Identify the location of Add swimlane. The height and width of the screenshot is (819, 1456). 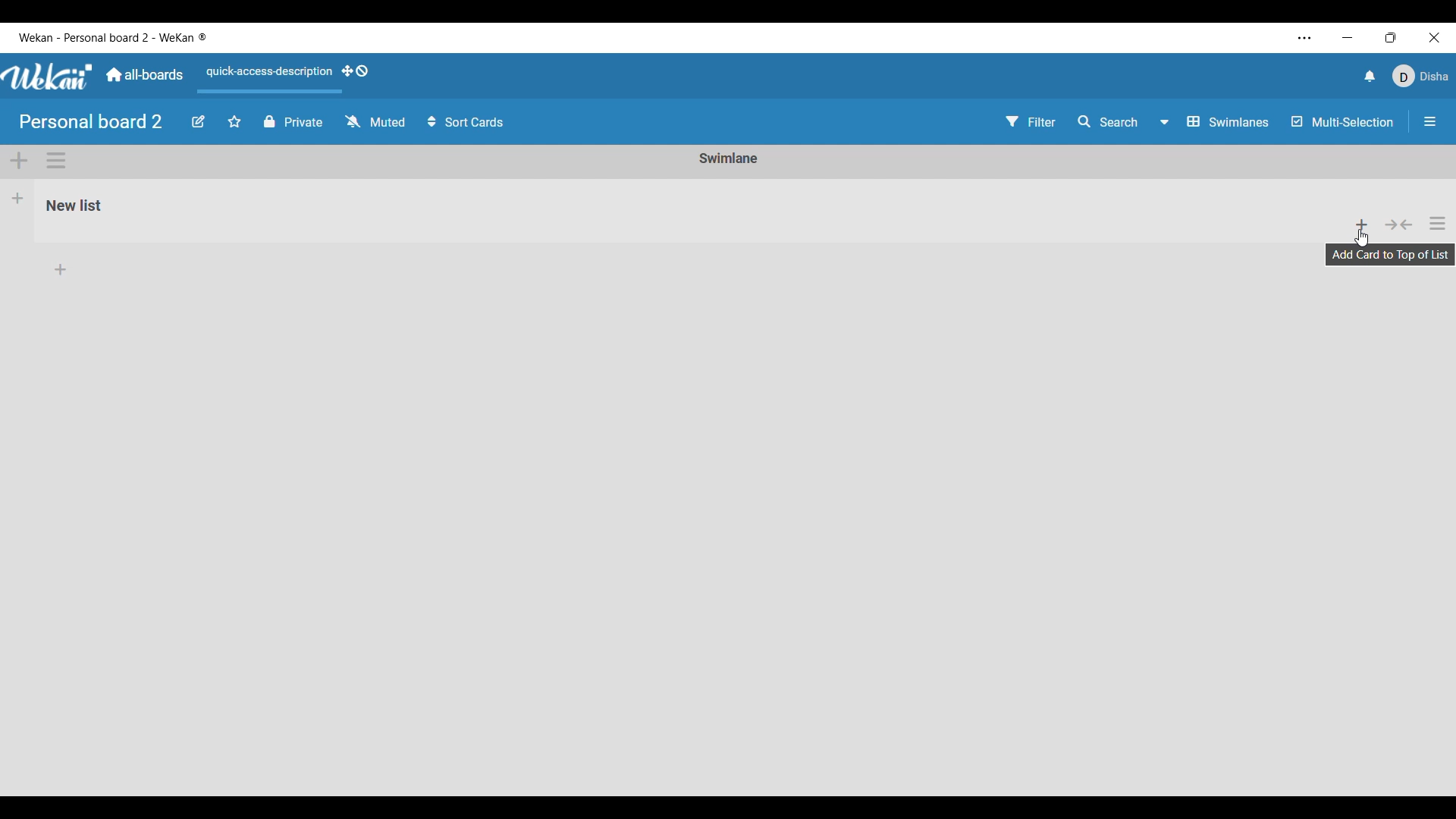
(20, 162).